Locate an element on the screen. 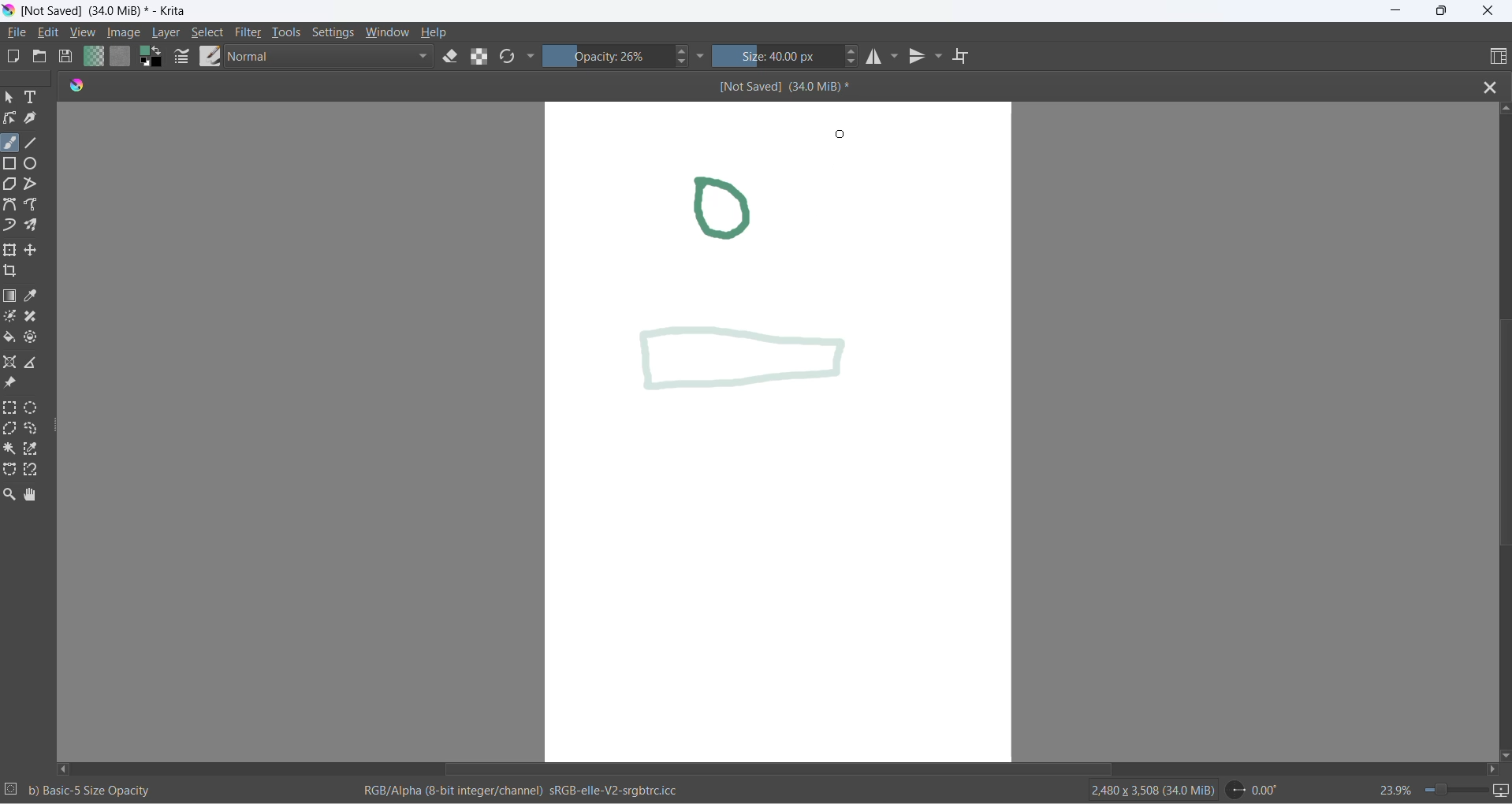 The width and height of the screenshot is (1512, 804). elliptical selection tool is located at coordinates (34, 408).